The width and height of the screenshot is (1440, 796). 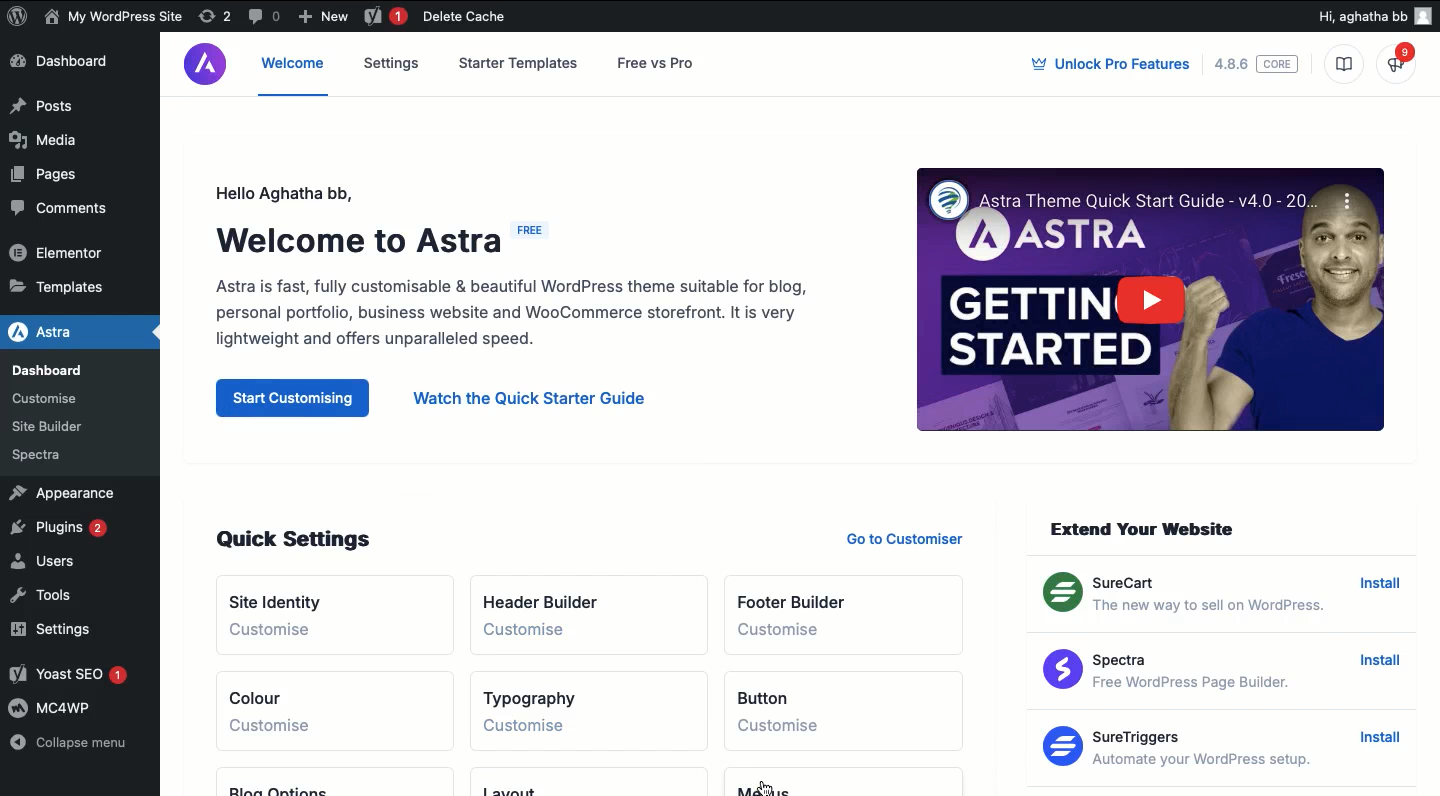 I want to click on Customise, so click(x=803, y=631).